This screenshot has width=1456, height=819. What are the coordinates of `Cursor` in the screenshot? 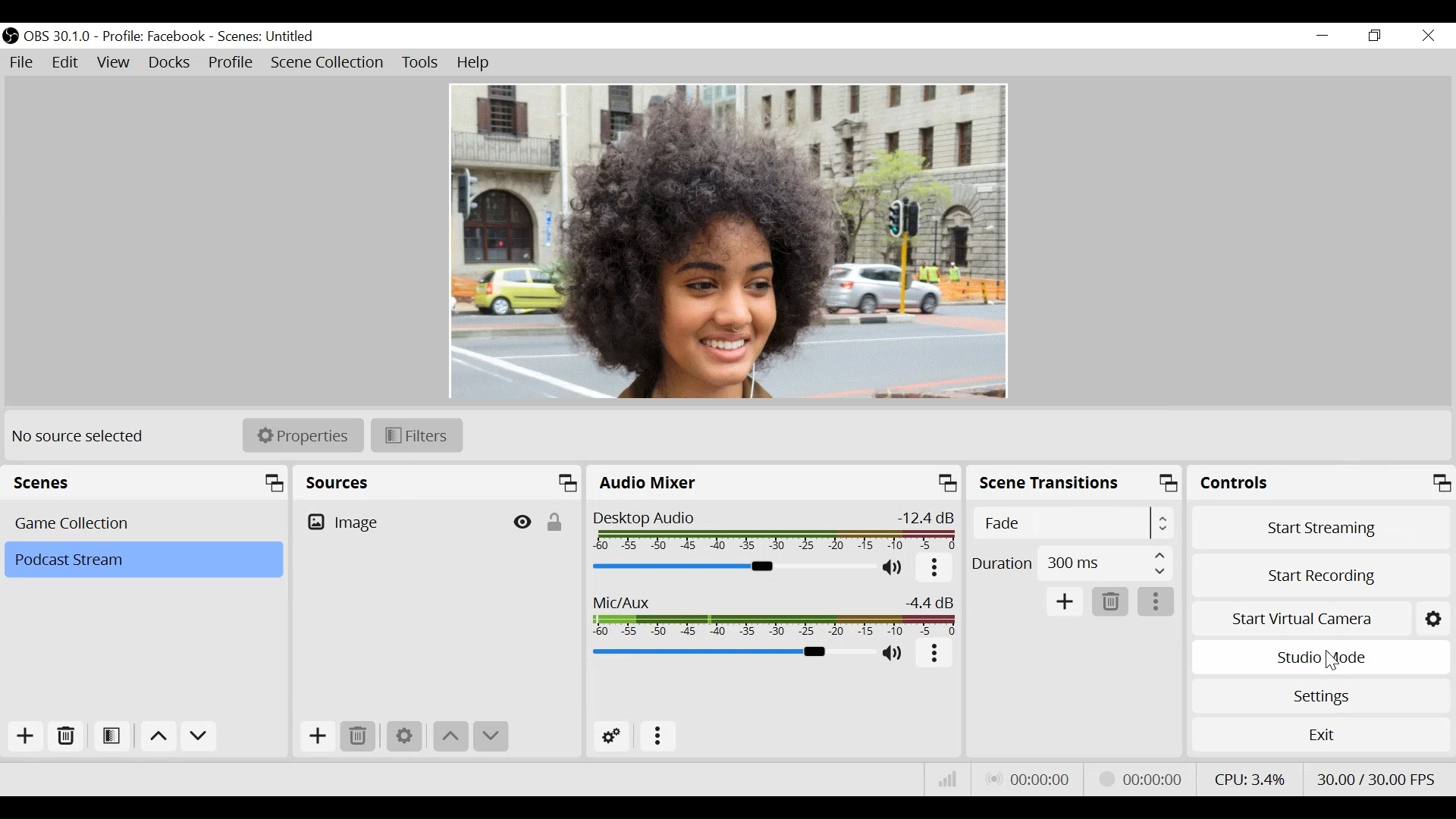 It's located at (1332, 661).